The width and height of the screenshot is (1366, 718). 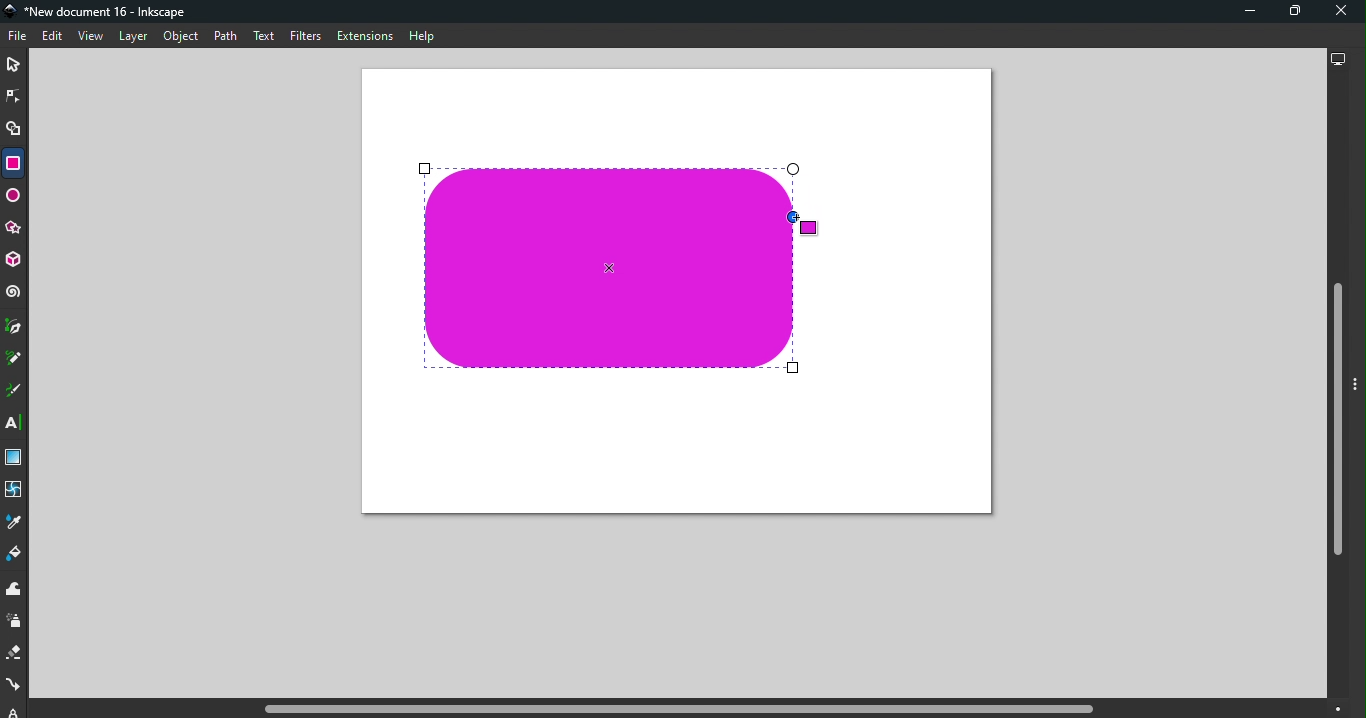 I want to click on Help, so click(x=422, y=36).